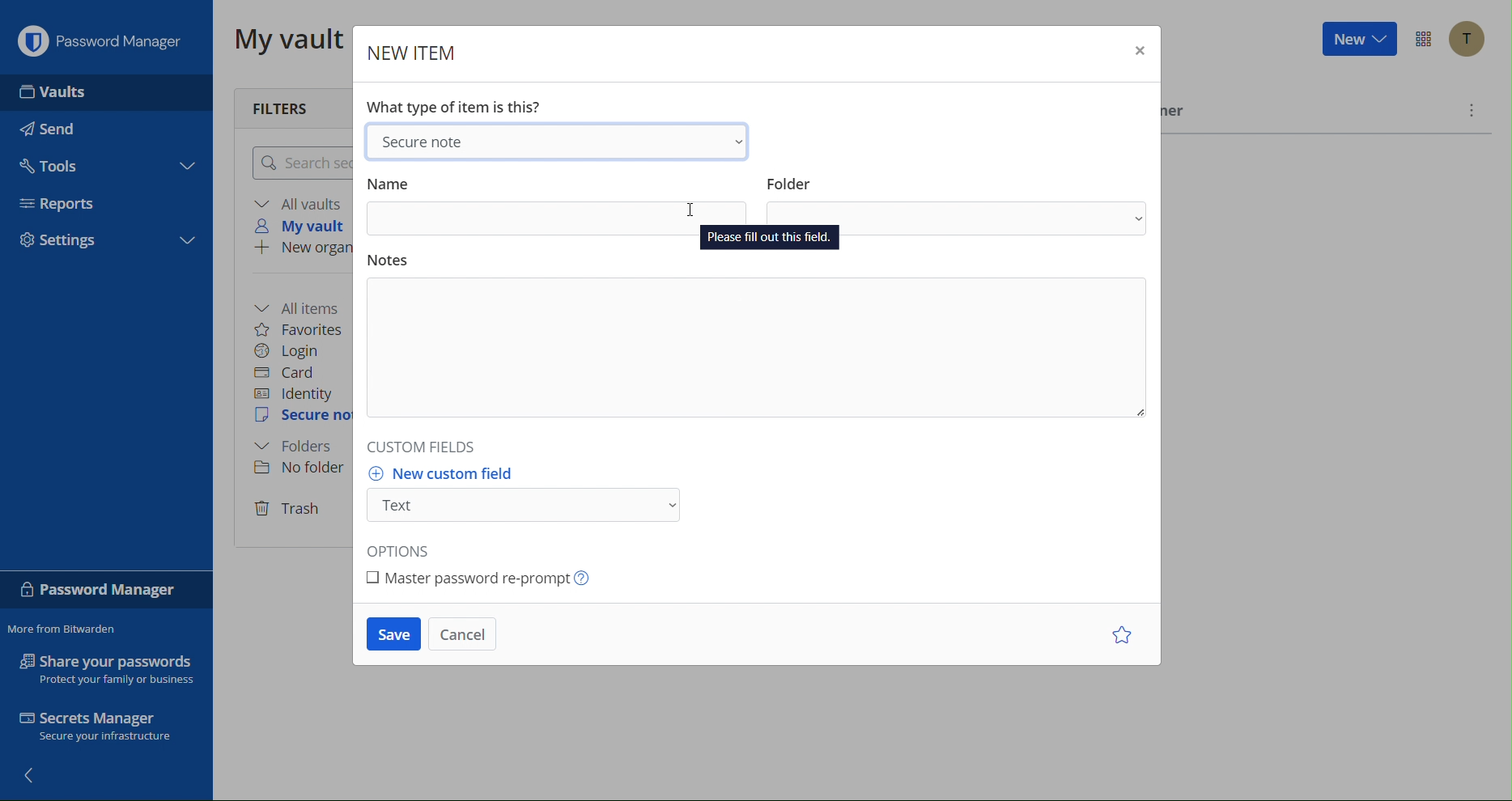 This screenshot has height=801, width=1512. I want to click on New, so click(1357, 41).